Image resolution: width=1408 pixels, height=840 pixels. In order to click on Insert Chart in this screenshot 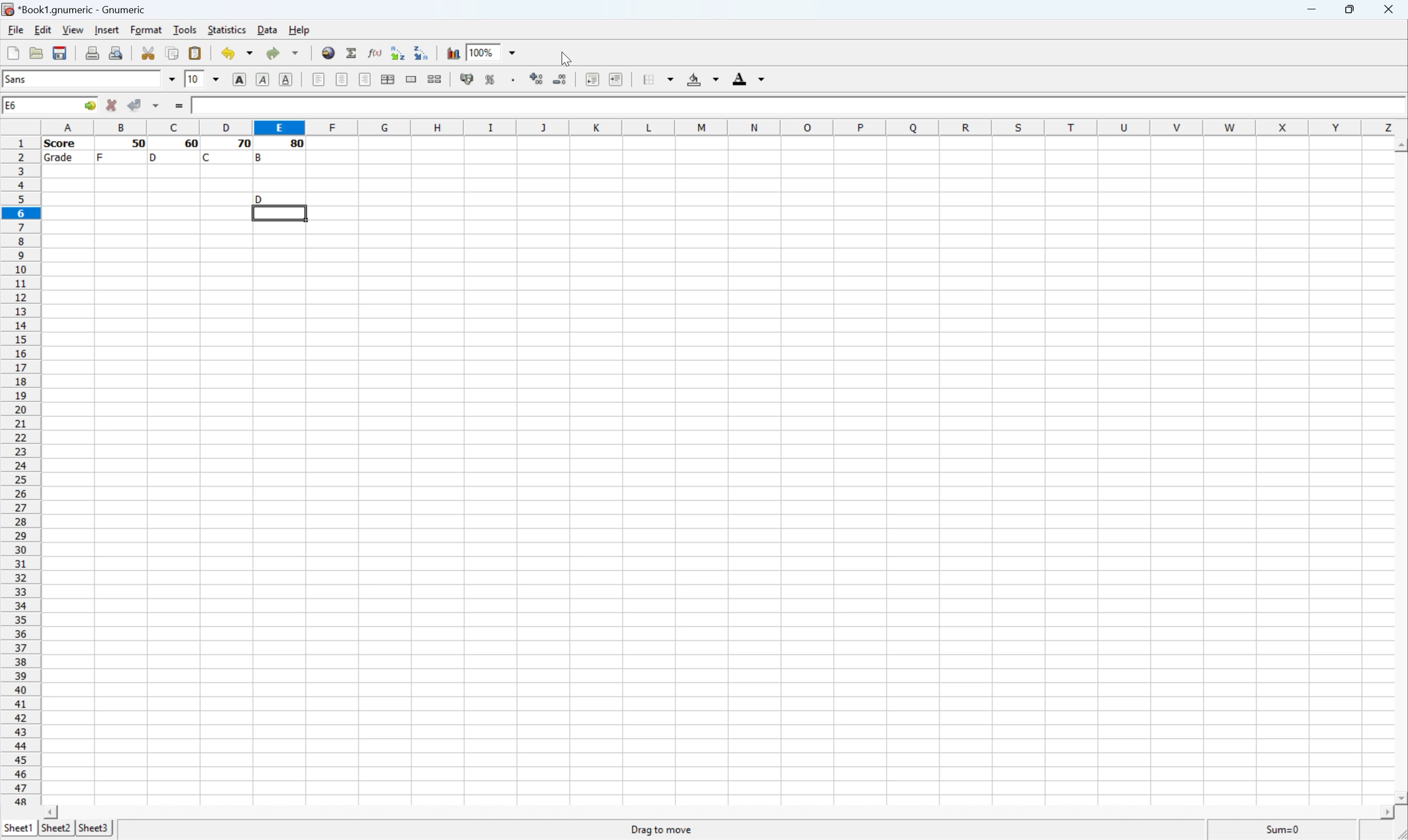, I will do `click(452, 51)`.